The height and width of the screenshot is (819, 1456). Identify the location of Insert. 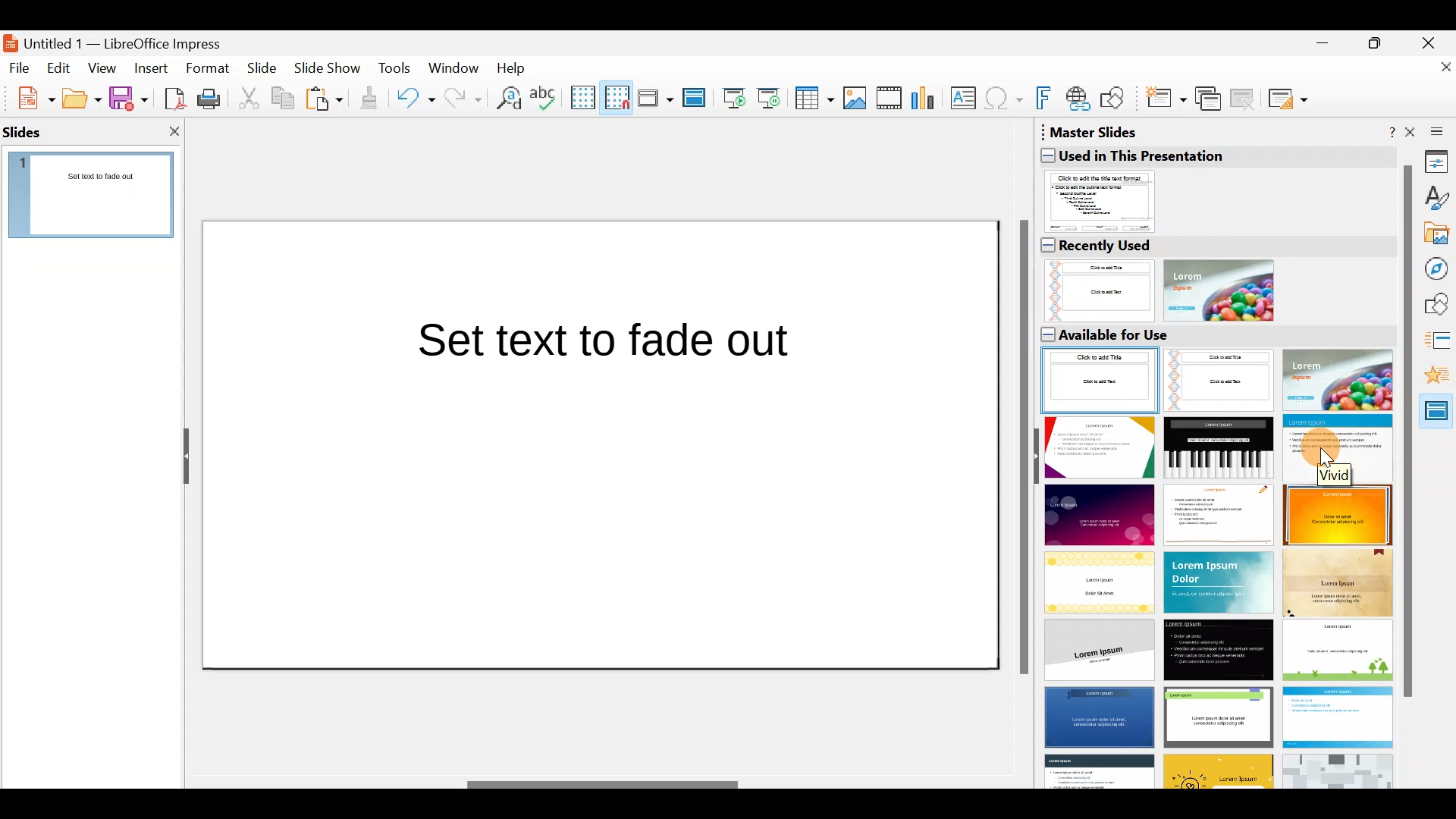
(150, 68).